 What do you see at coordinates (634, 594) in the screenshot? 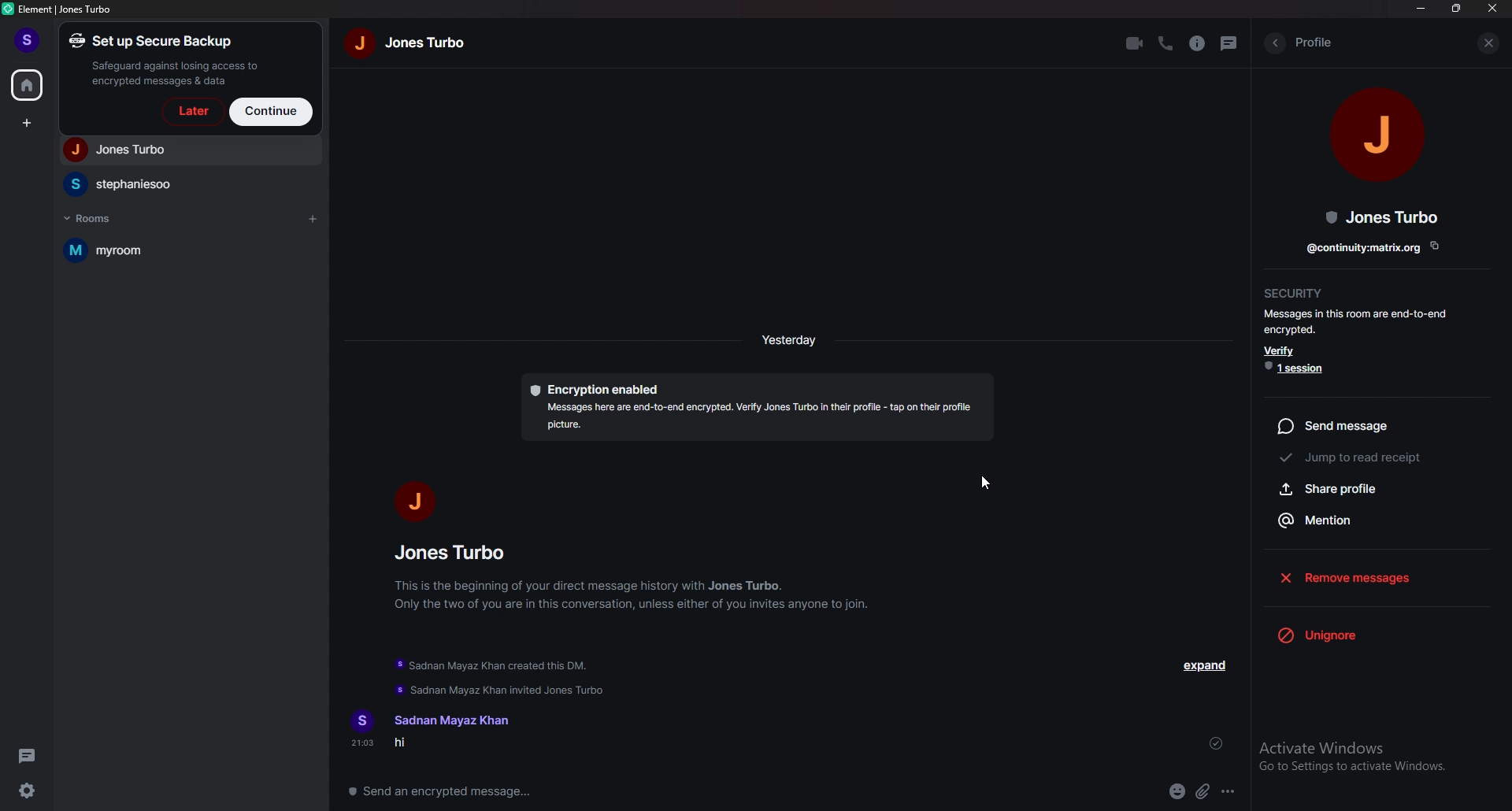
I see `info` at bounding box center [634, 594].